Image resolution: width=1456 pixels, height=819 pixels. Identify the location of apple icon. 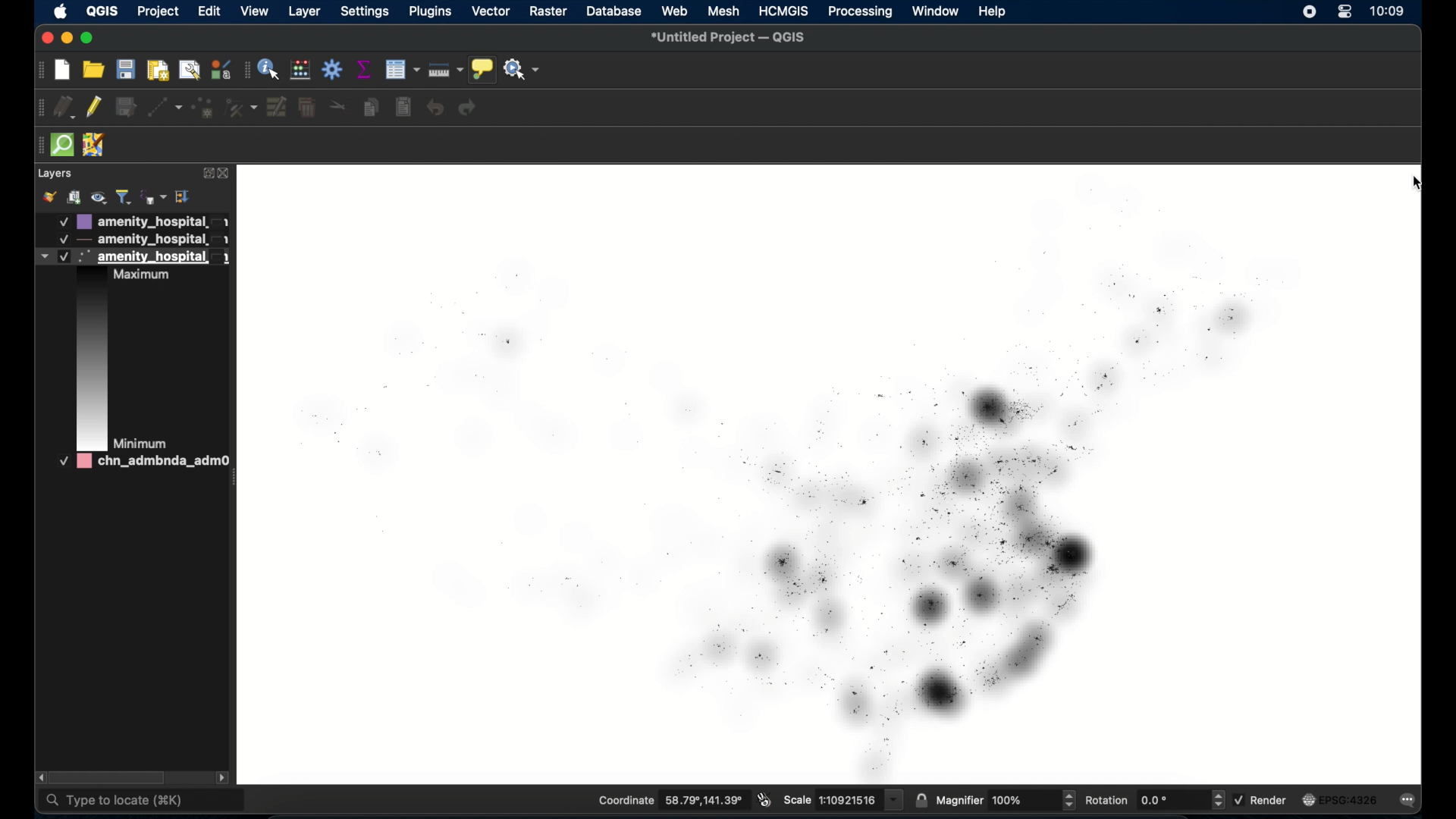
(61, 13).